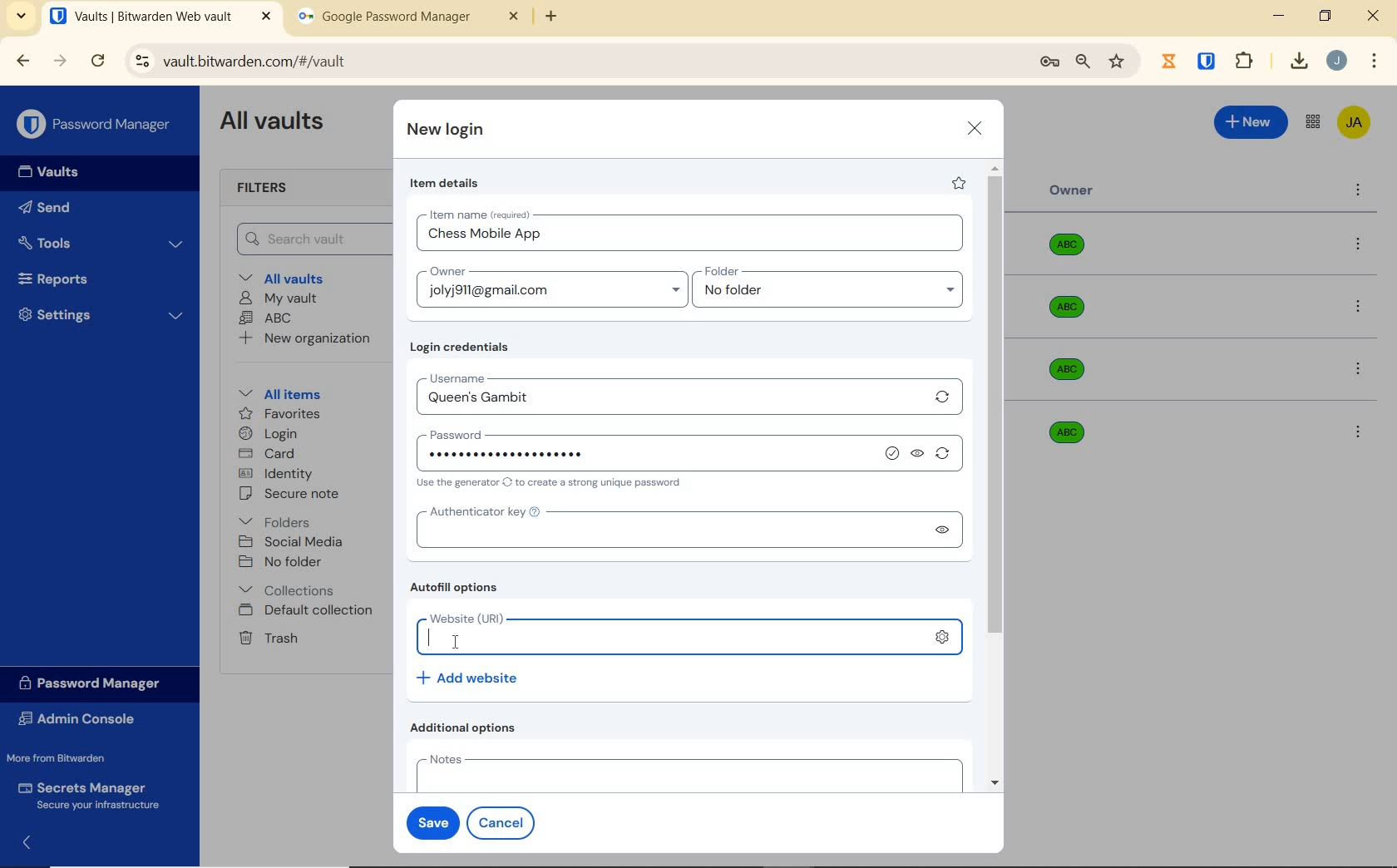  Describe the element at coordinates (101, 244) in the screenshot. I see `Tools` at that location.